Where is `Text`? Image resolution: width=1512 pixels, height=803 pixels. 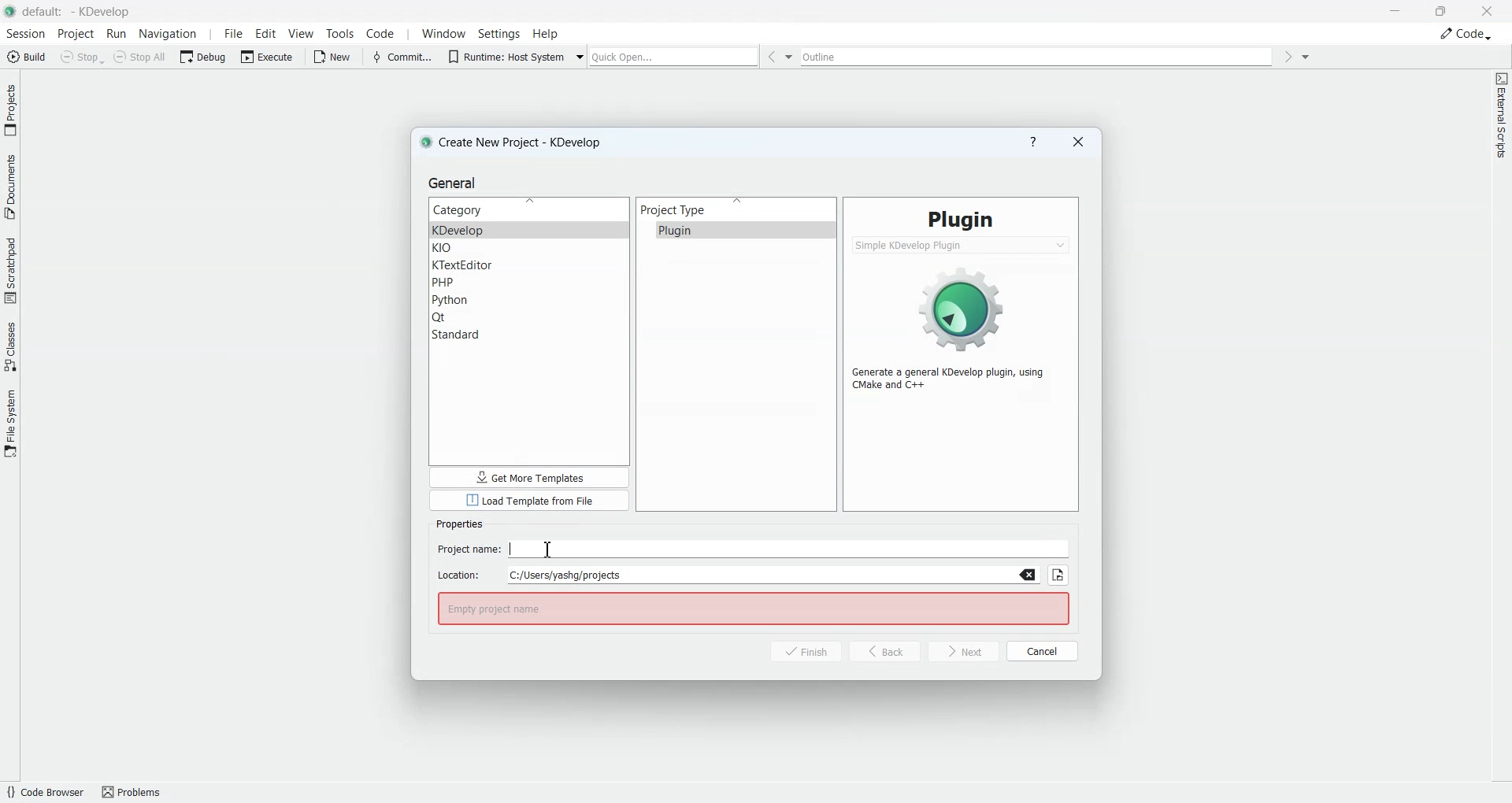 Text is located at coordinates (753, 609).